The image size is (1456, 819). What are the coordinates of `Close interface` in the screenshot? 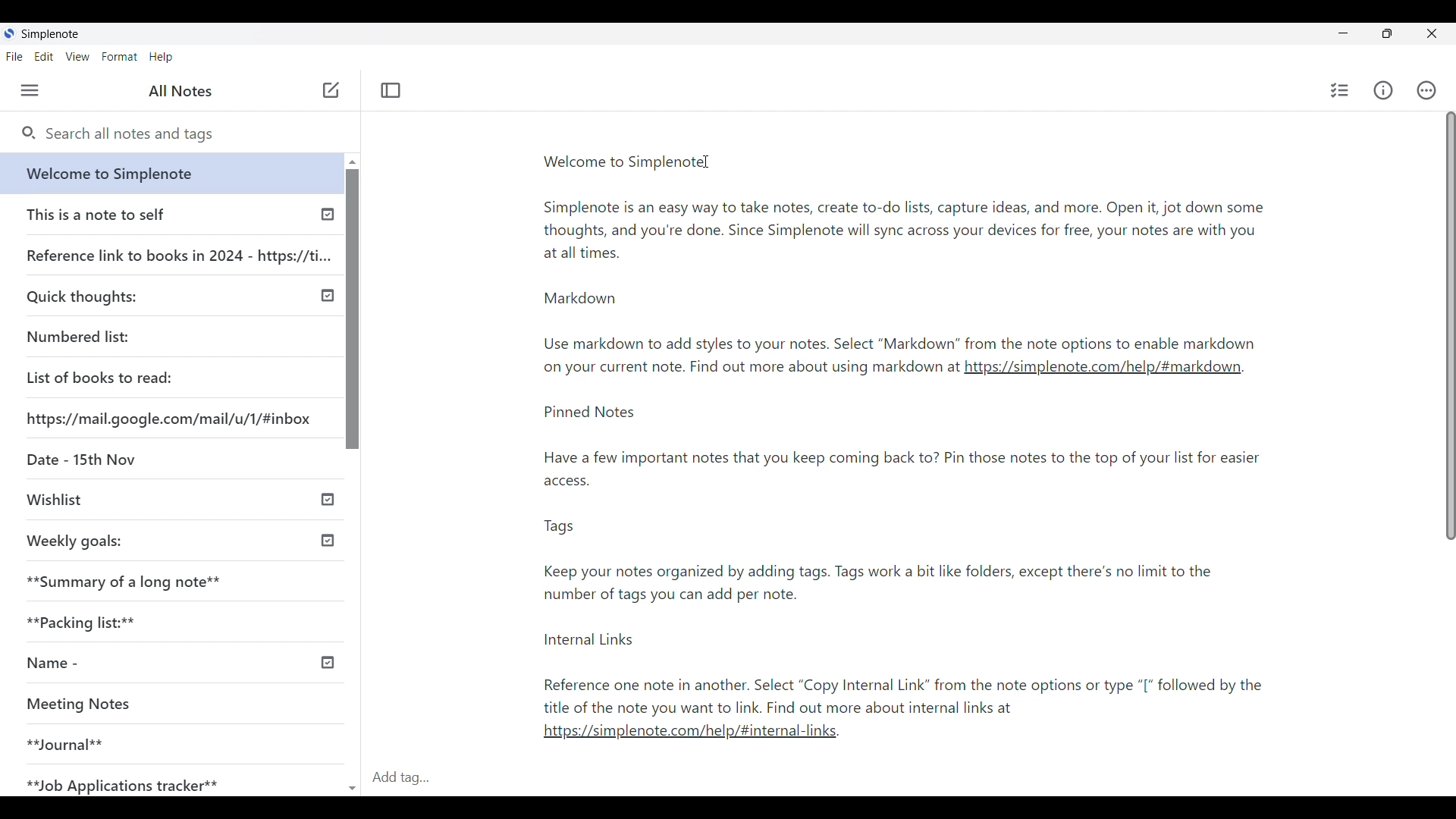 It's located at (1434, 36).